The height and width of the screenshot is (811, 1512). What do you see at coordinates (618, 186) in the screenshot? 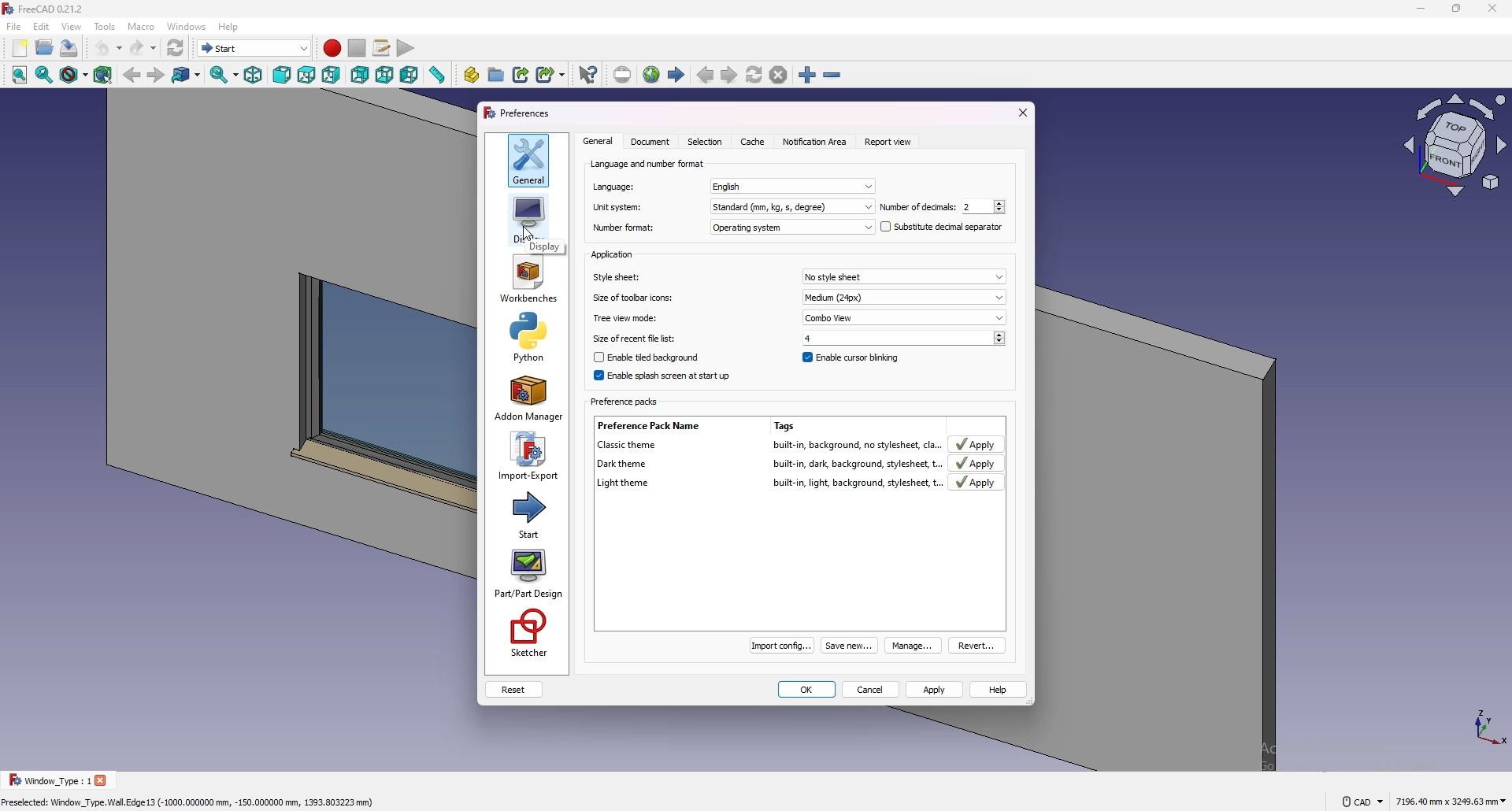
I see `Language:` at bounding box center [618, 186].